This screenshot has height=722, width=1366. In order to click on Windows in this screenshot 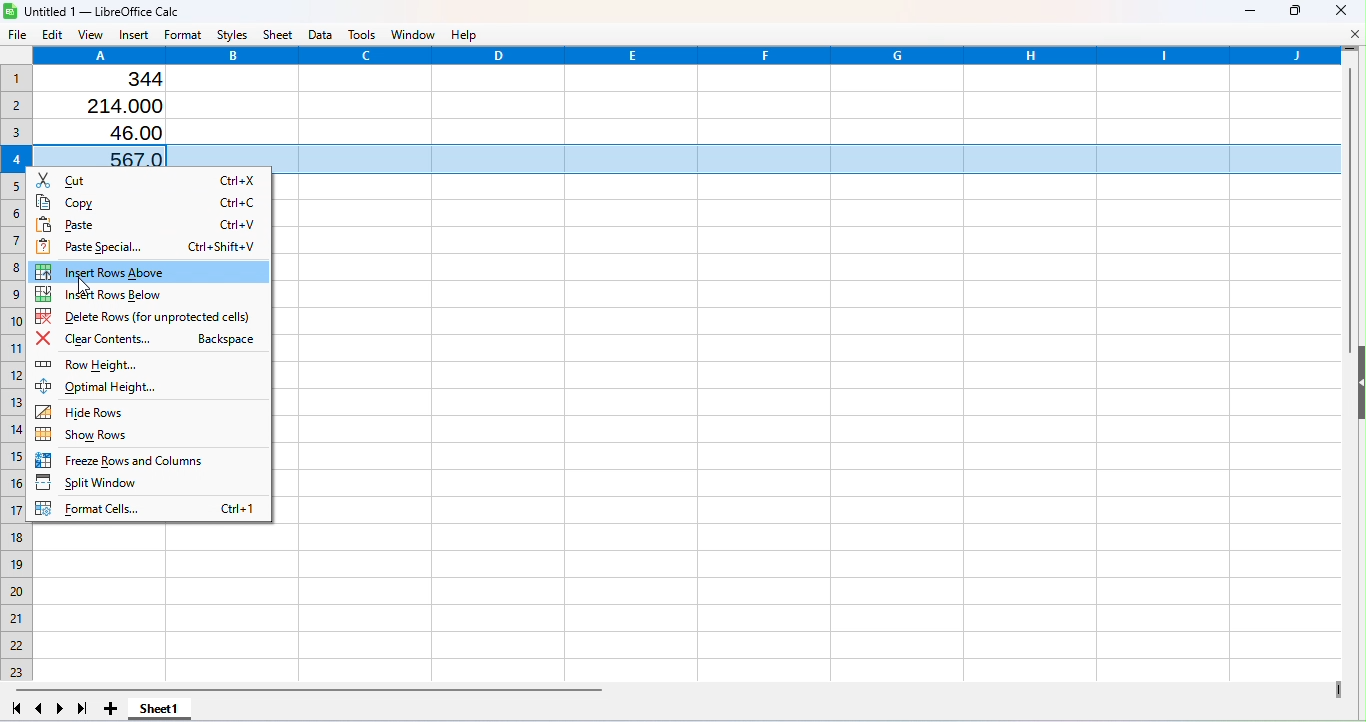, I will do `click(416, 33)`.